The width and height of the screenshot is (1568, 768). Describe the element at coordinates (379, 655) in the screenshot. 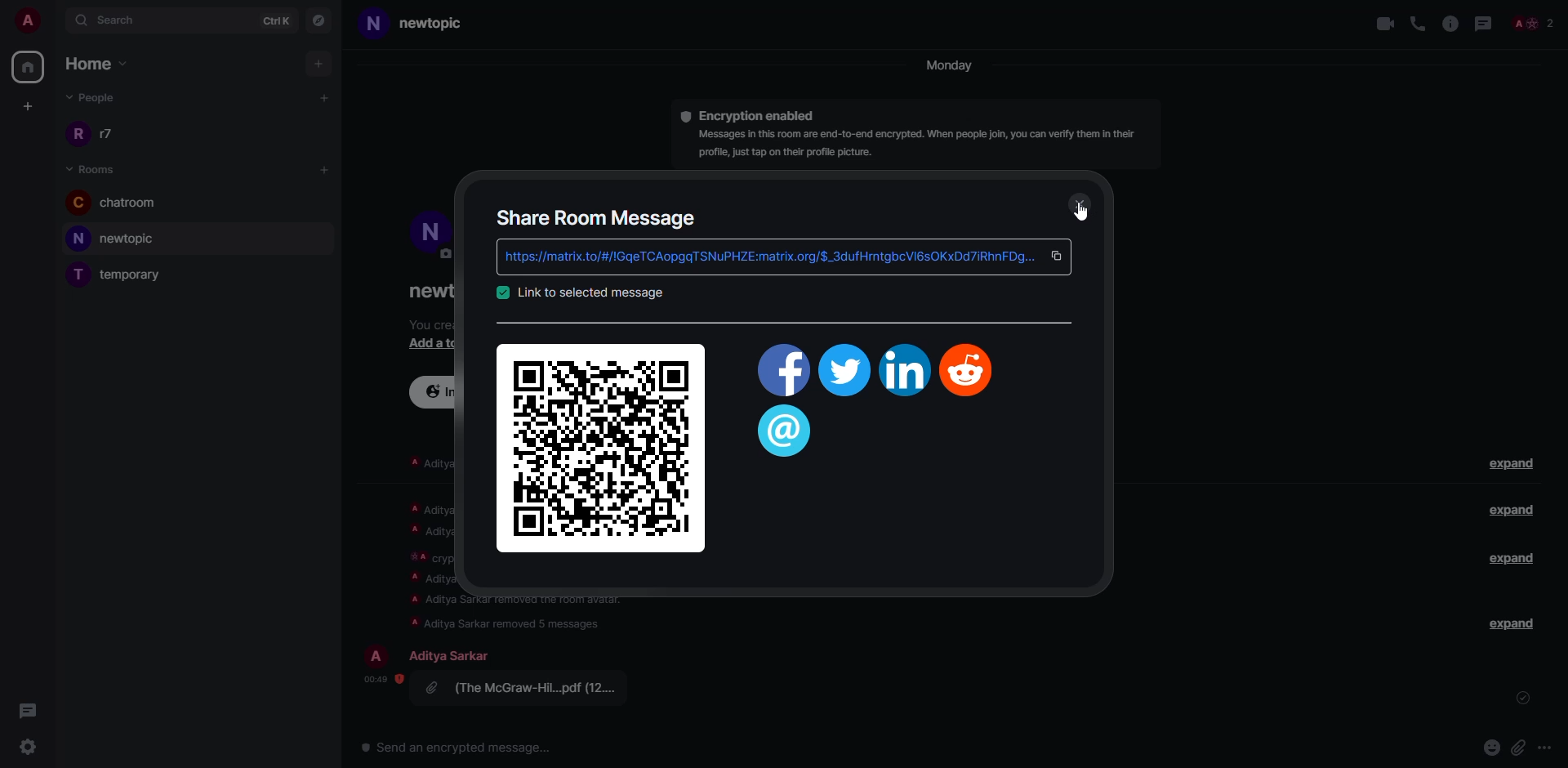

I see `profile` at that location.